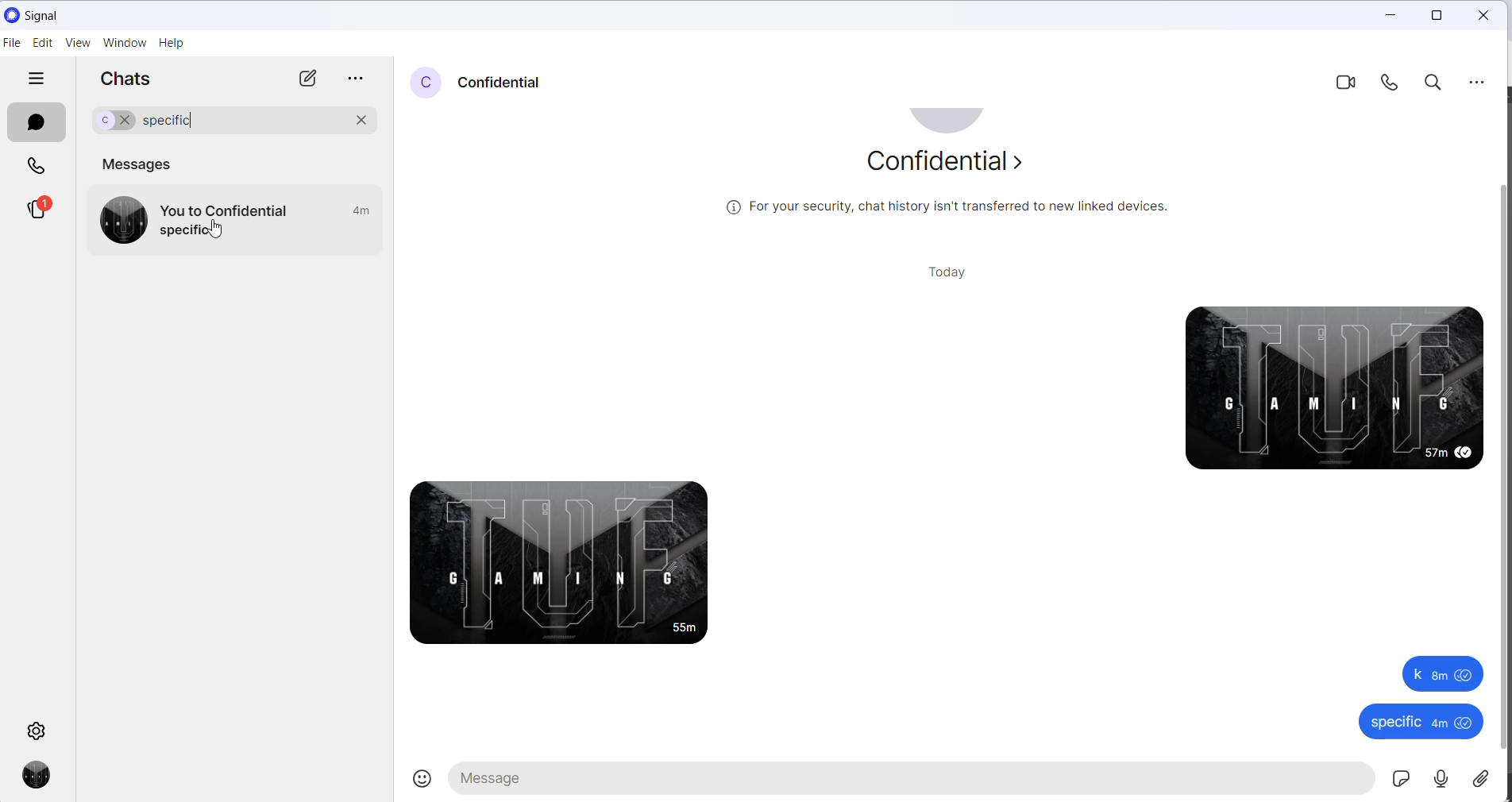  I want to click on last active time, so click(362, 212).